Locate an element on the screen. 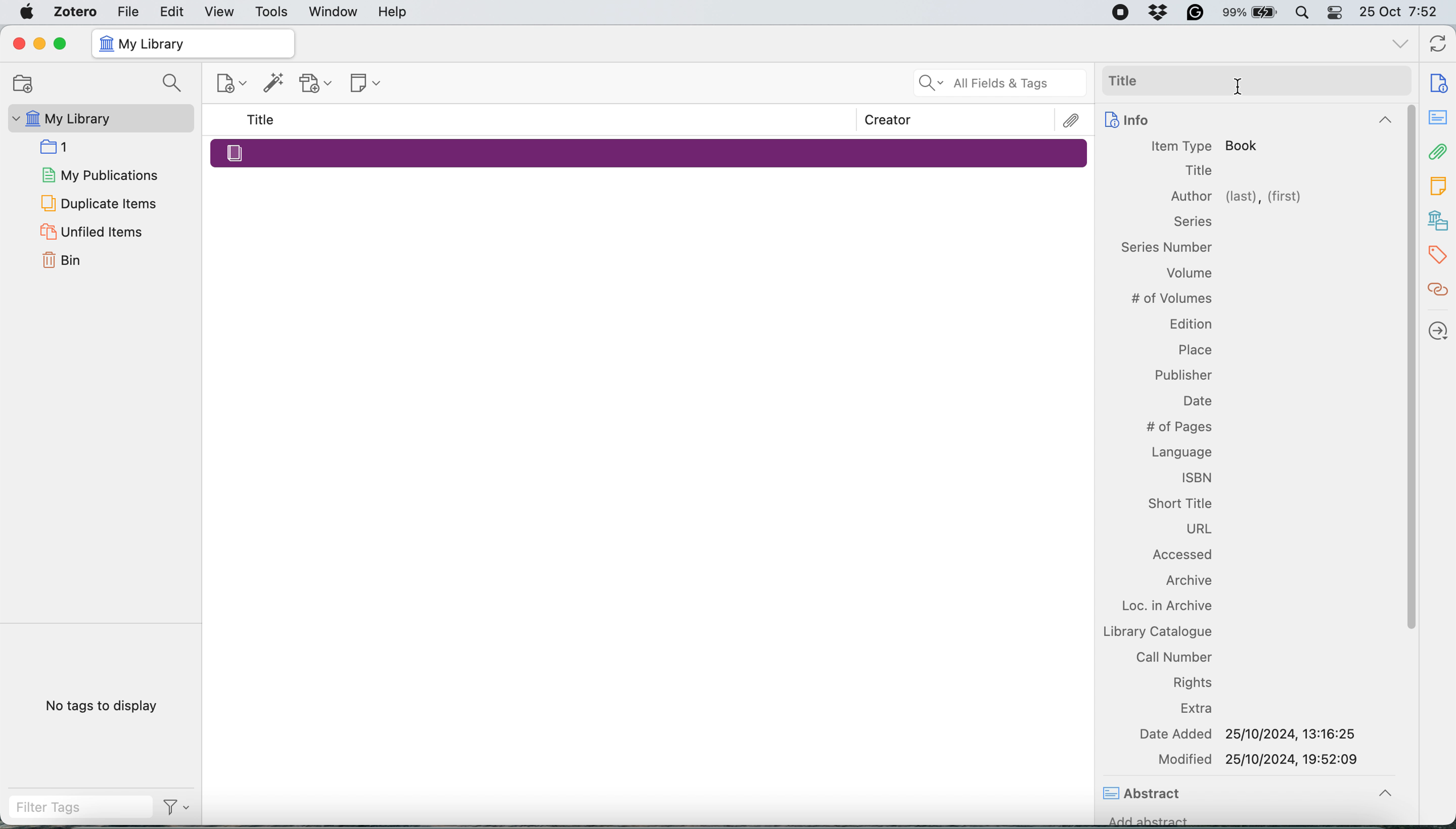  View is located at coordinates (221, 12).